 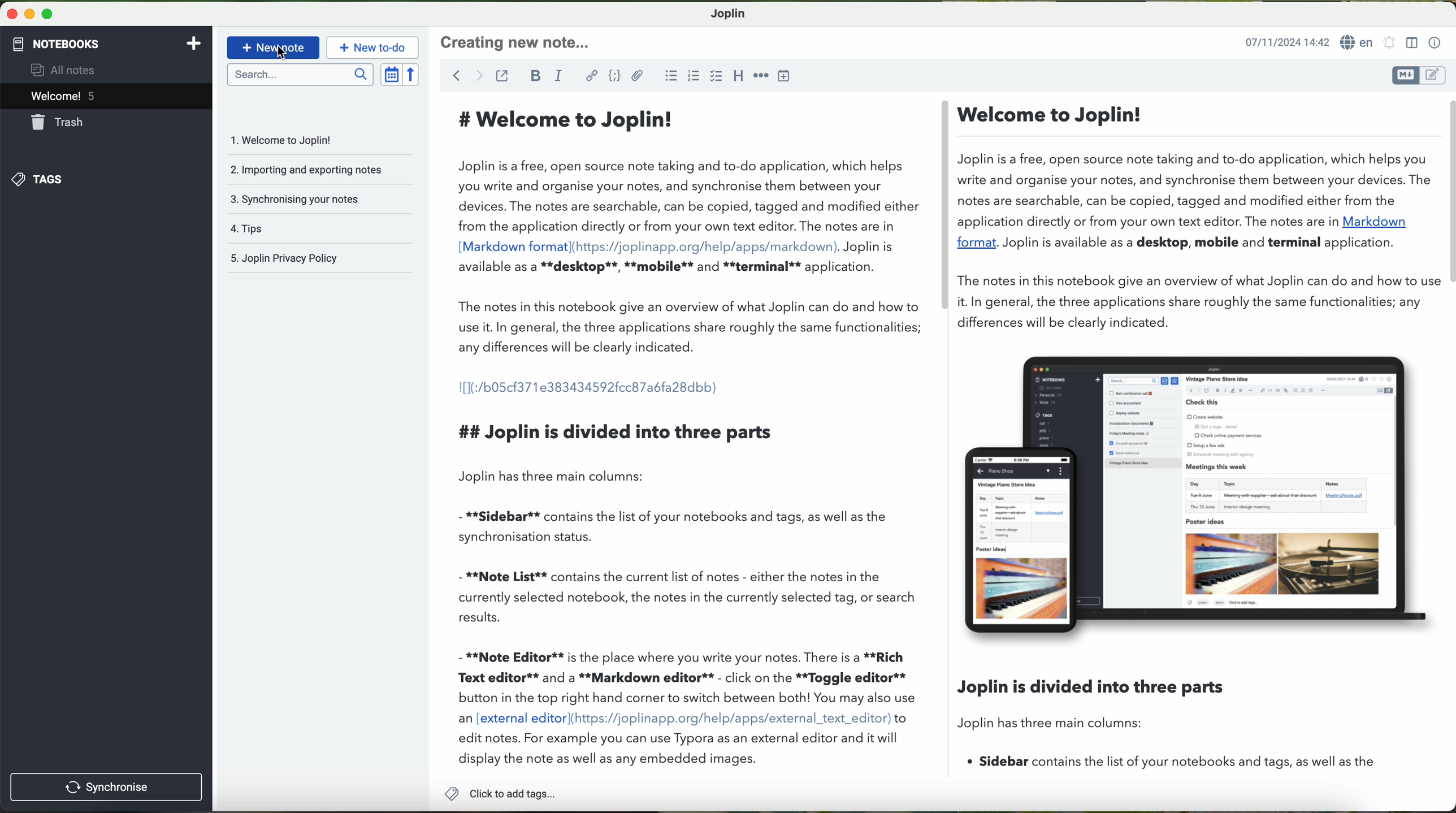 What do you see at coordinates (107, 788) in the screenshot?
I see `synchronise button` at bounding box center [107, 788].